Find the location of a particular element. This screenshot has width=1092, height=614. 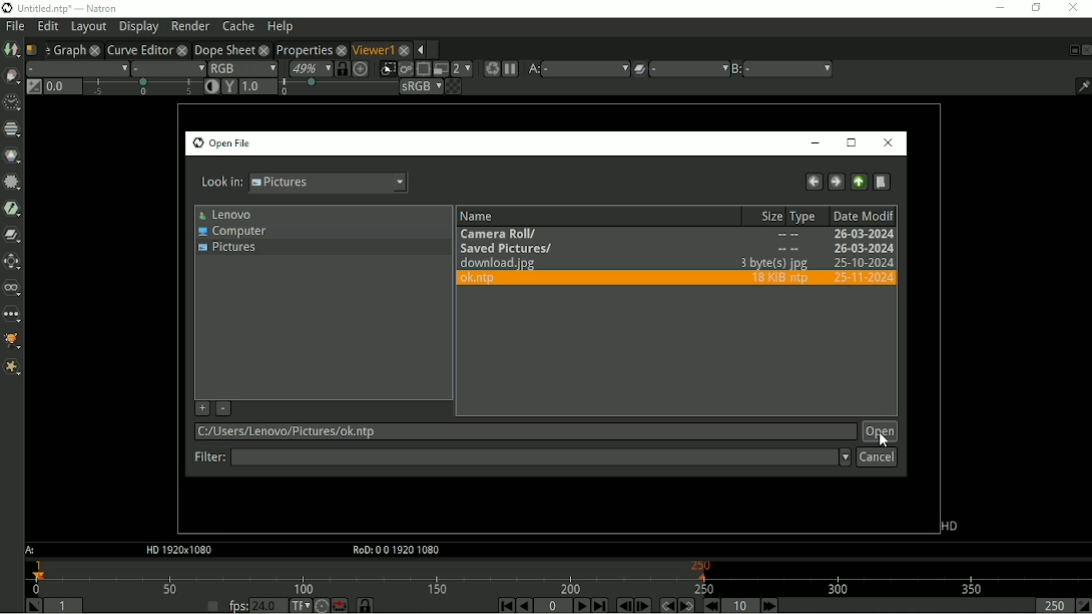

filter: is located at coordinates (205, 459).